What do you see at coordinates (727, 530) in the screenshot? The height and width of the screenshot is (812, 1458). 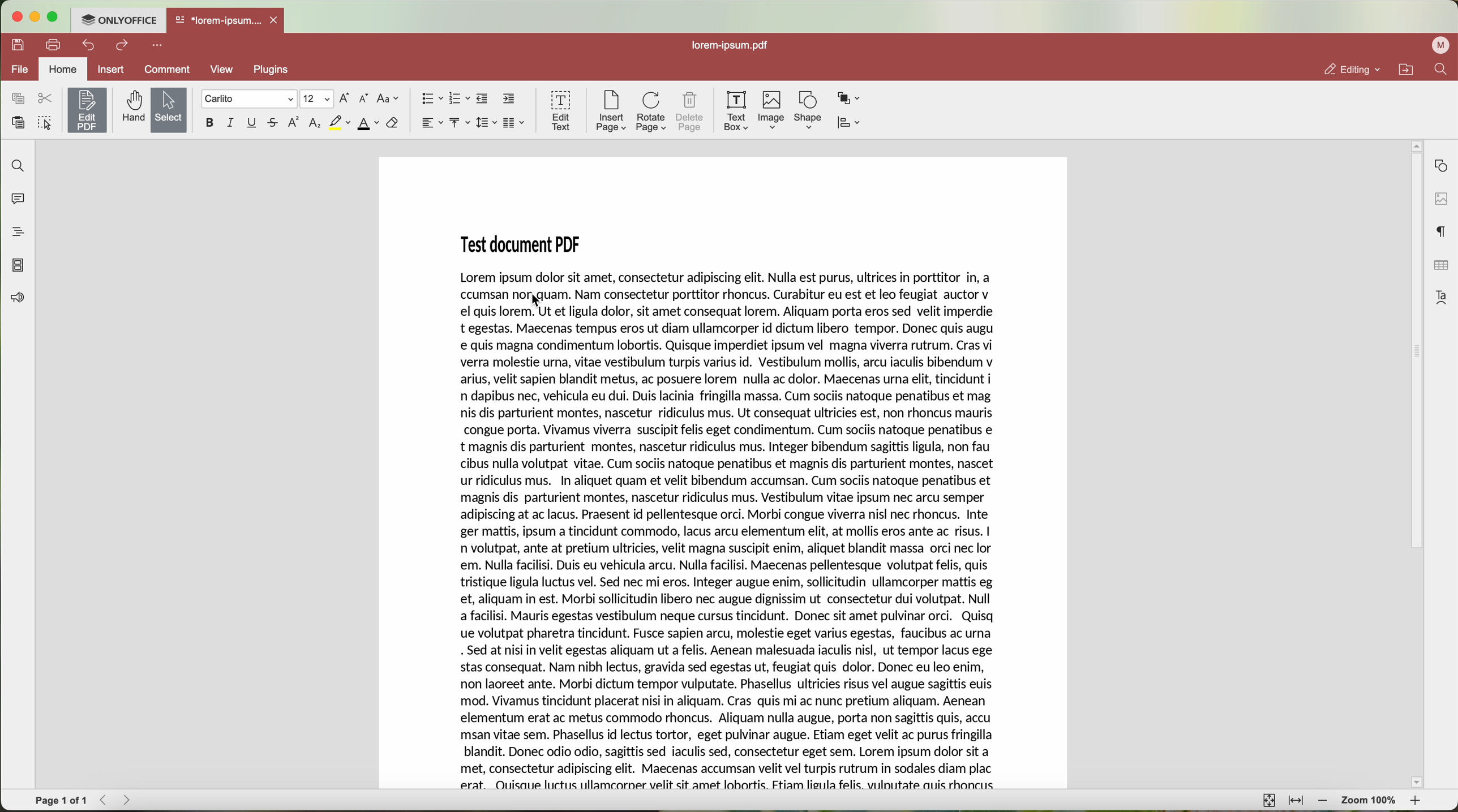 I see `selected text` at bounding box center [727, 530].